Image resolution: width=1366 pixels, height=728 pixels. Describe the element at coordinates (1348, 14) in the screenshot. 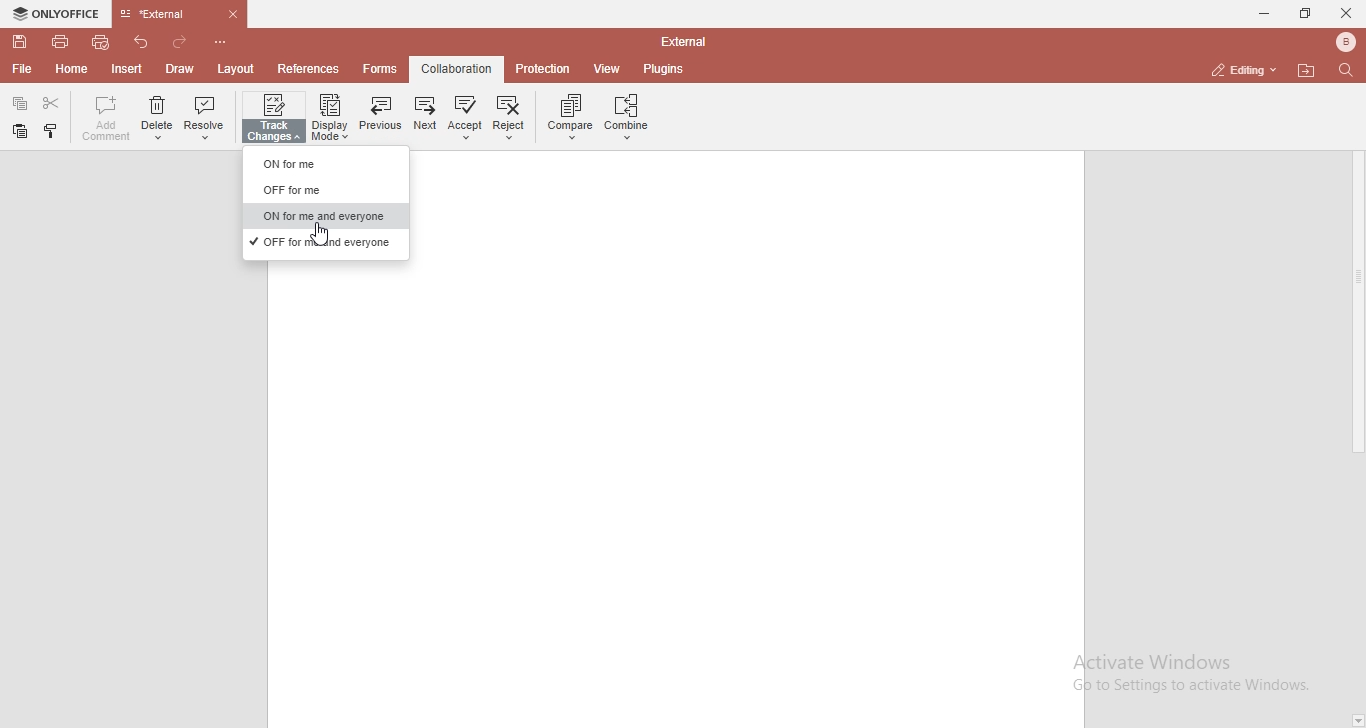

I see `close` at that location.